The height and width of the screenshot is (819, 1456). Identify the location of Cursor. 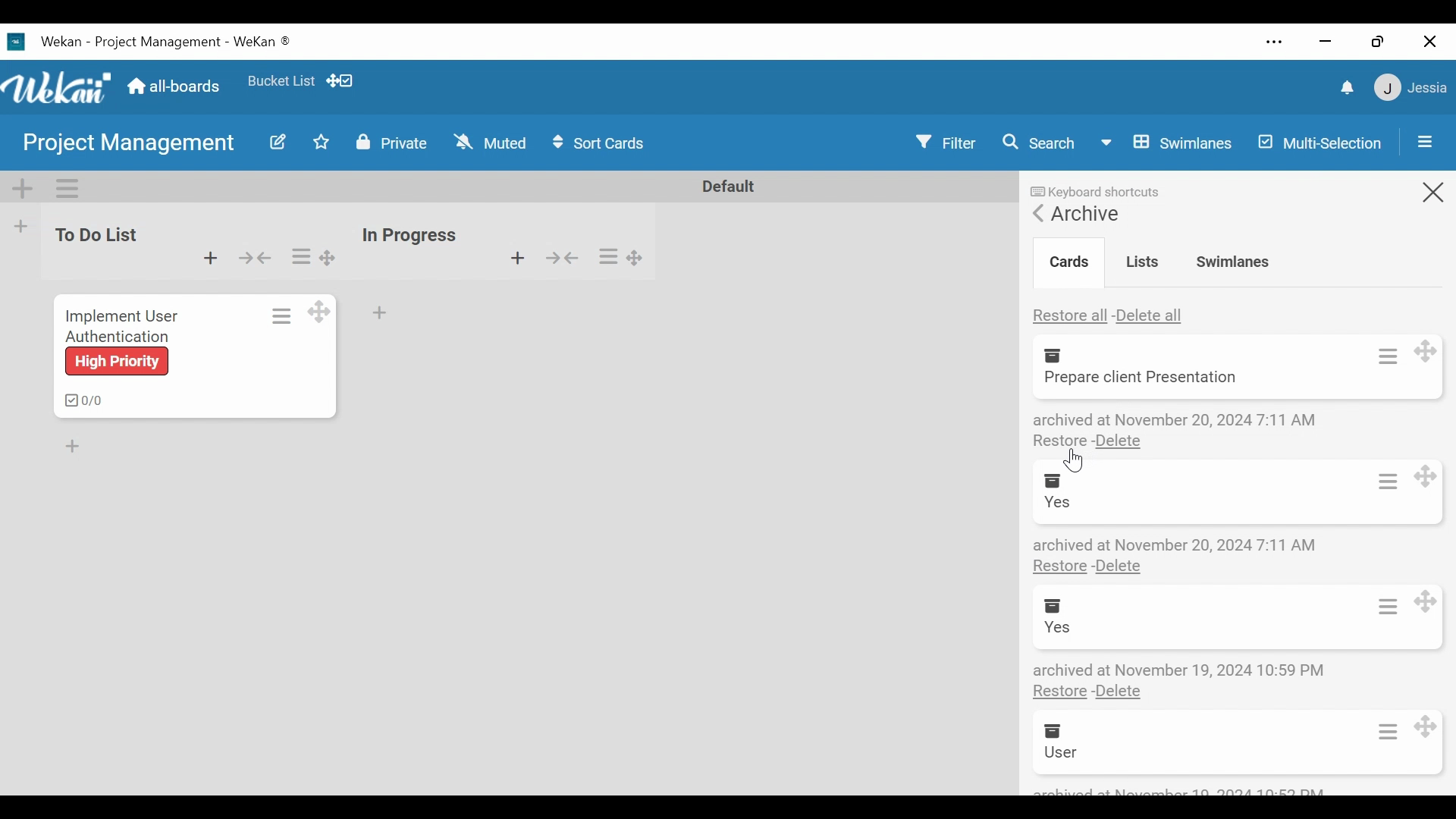
(1072, 462).